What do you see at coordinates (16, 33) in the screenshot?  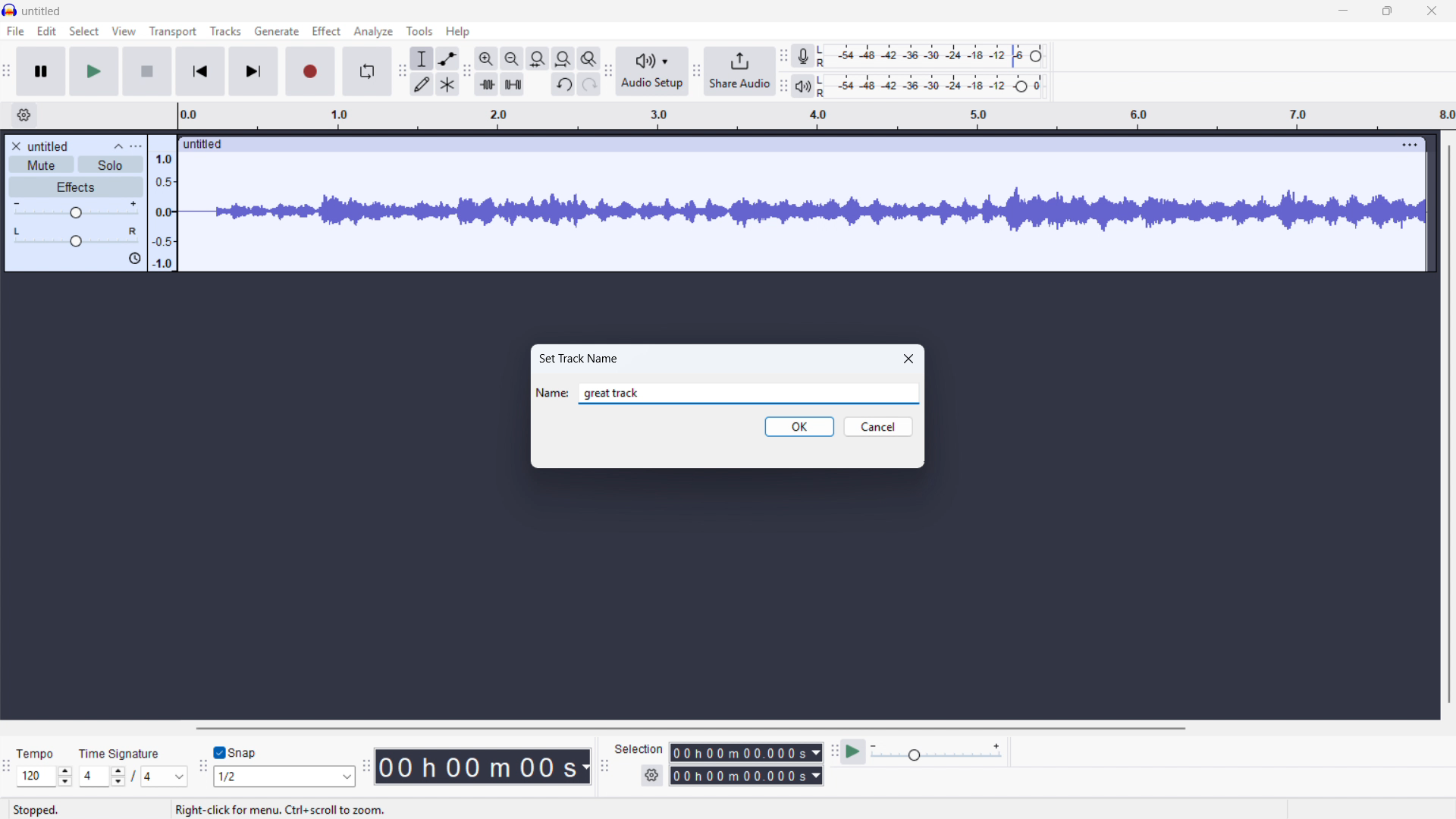 I see `file ` at bounding box center [16, 33].